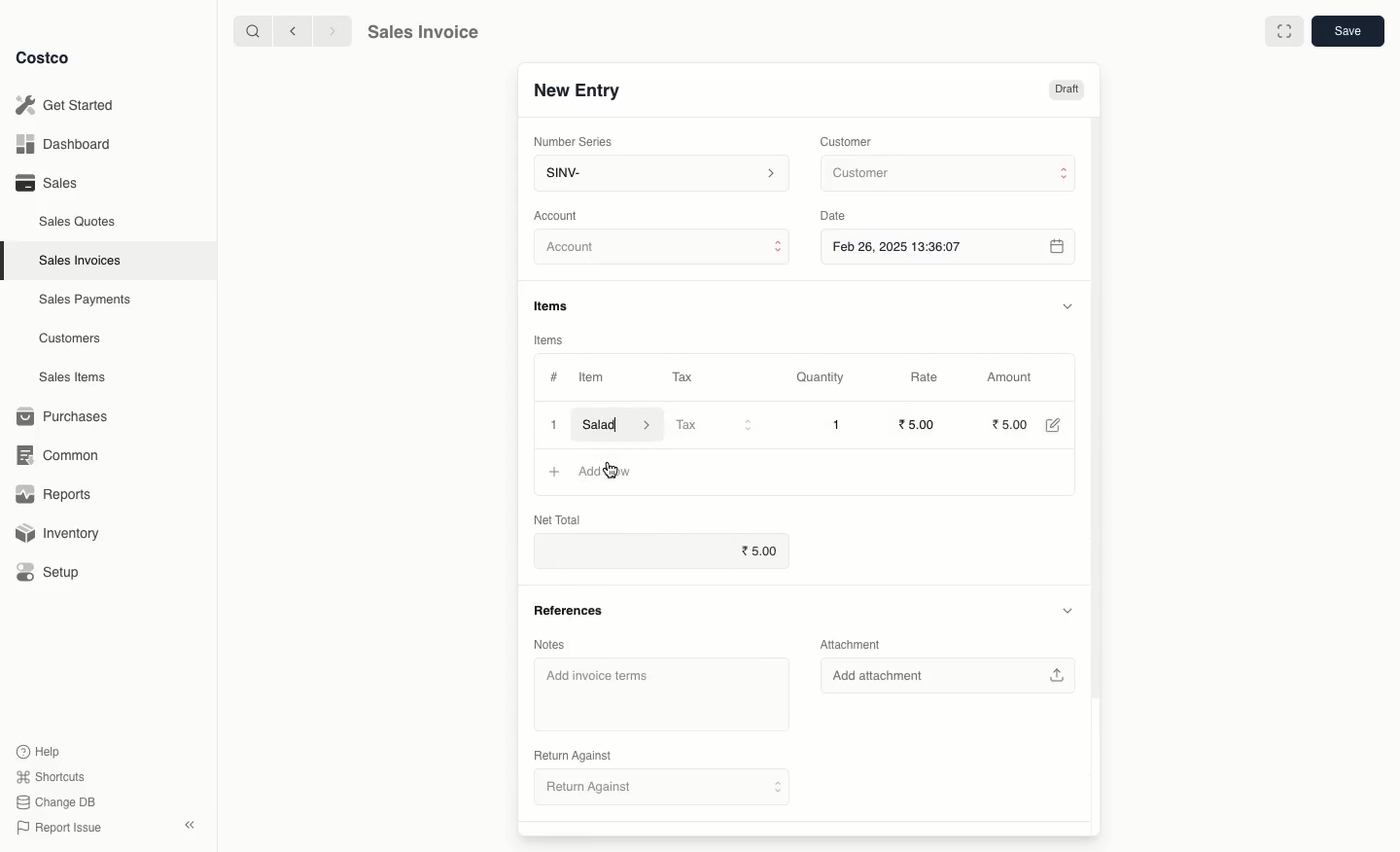  I want to click on Customer, so click(849, 140).